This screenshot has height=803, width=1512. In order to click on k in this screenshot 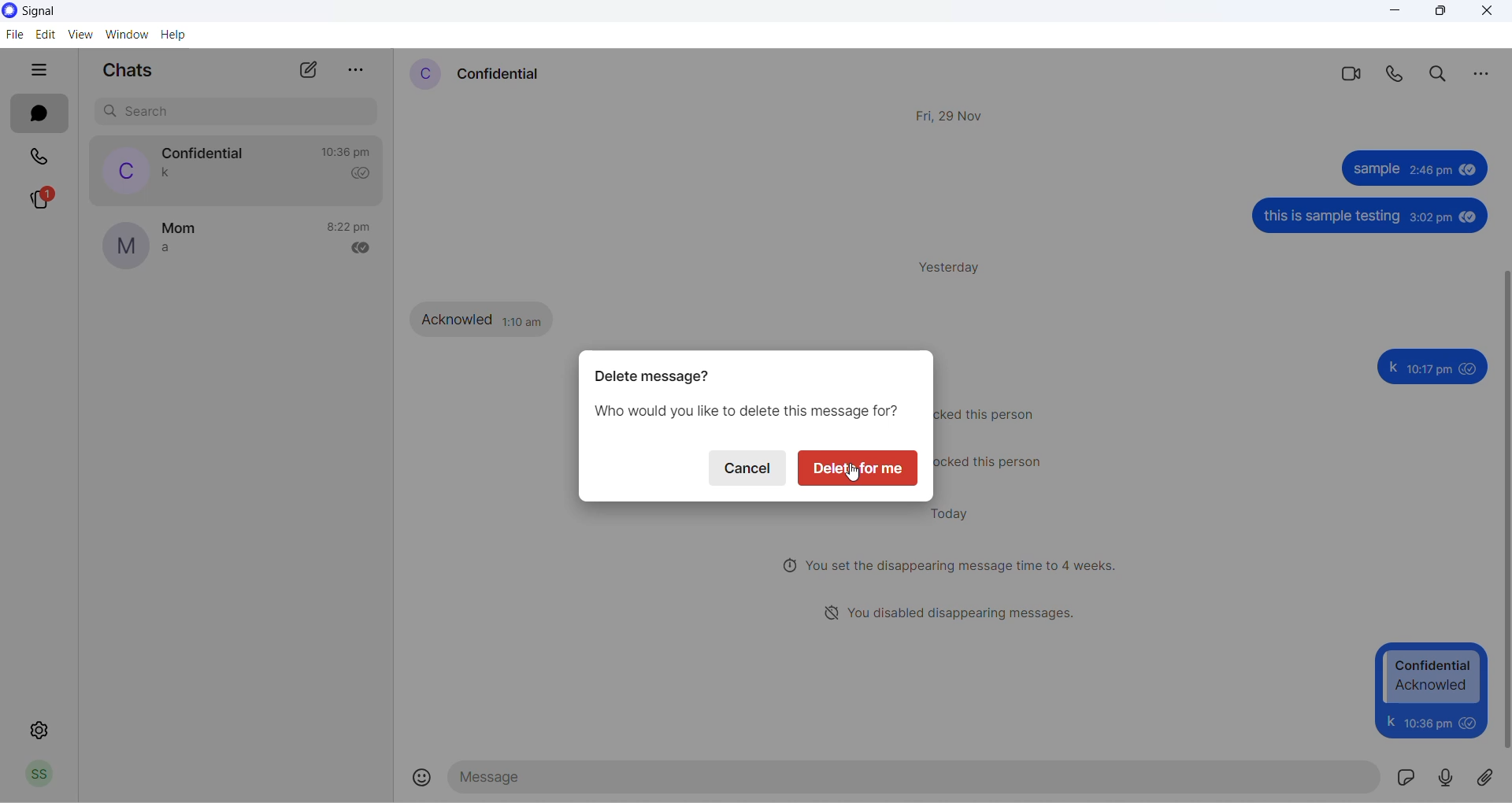, I will do `click(1392, 367)`.